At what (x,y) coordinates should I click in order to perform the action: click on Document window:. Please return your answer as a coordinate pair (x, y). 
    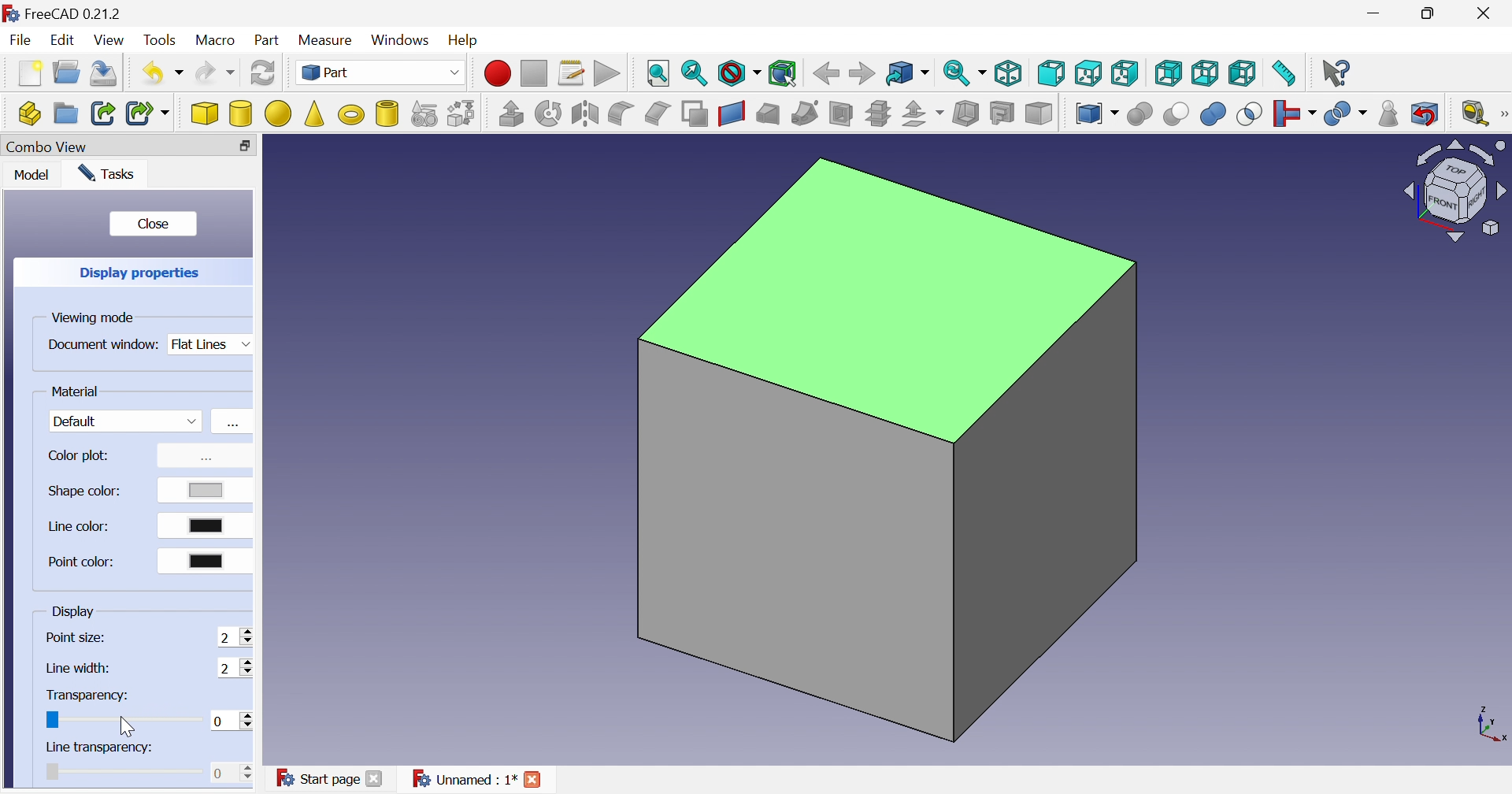
    Looking at the image, I should click on (102, 347).